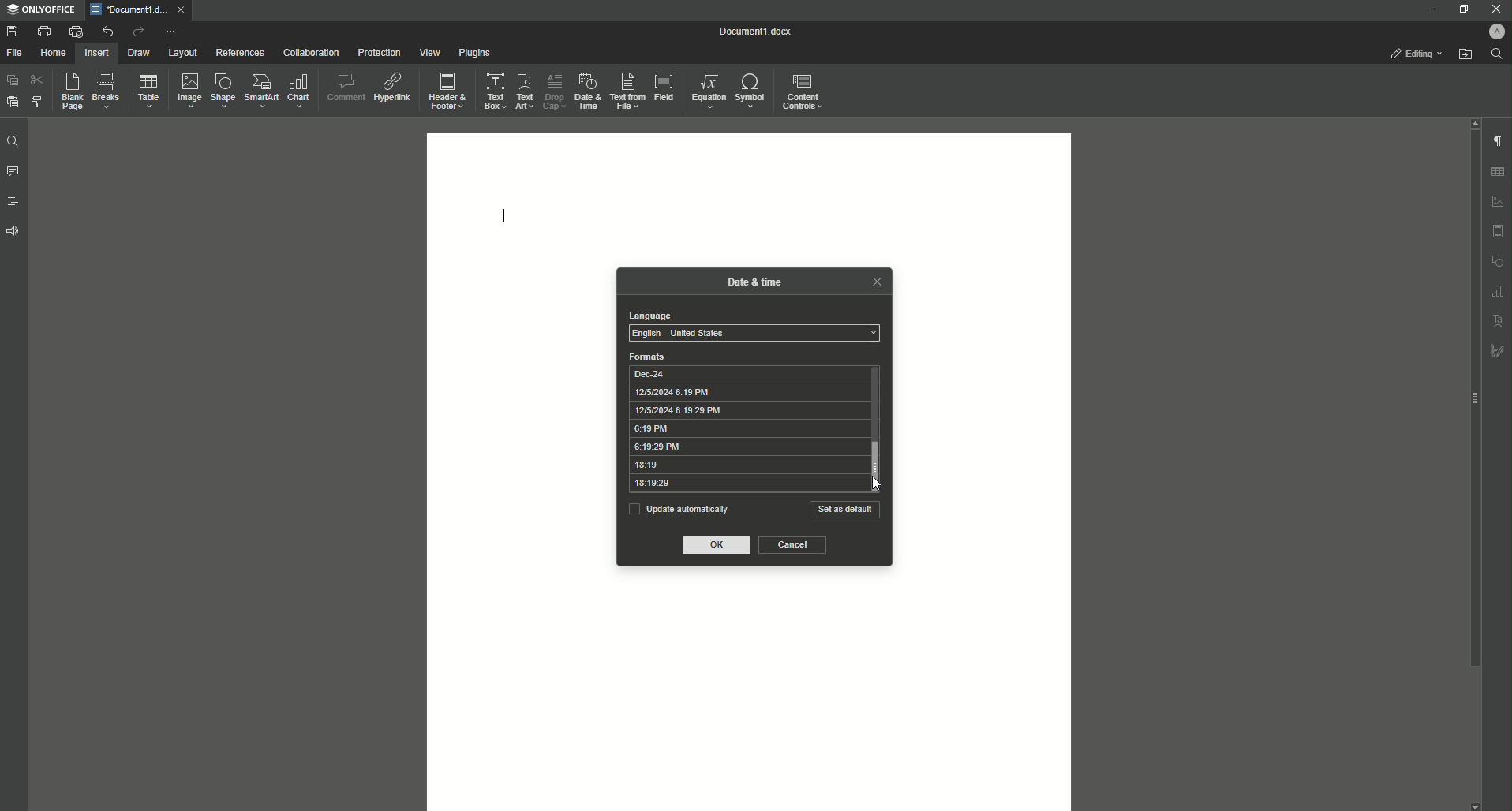 The height and width of the screenshot is (811, 1512). What do you see at coordinates (239, 53) in the screenshot?
I see `References` at bounding box center [239, 53].